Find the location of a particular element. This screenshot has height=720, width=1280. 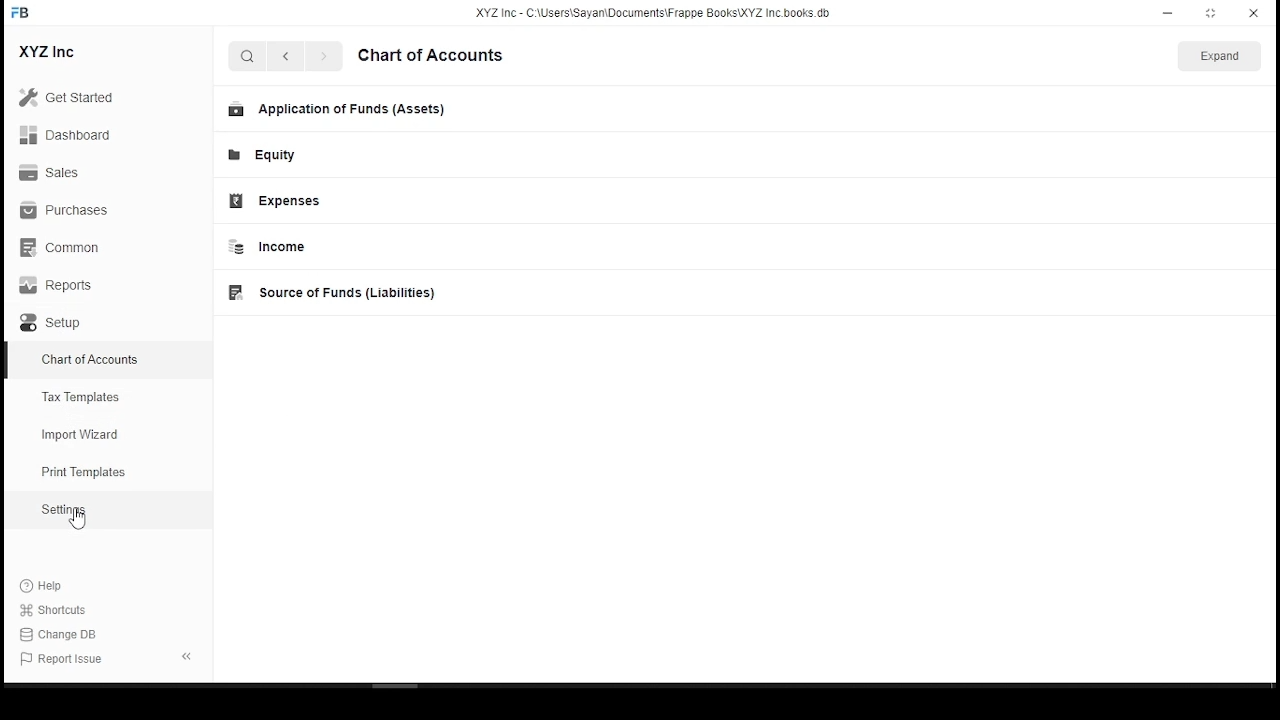

Maximize is located at coordinates (1213, 14).